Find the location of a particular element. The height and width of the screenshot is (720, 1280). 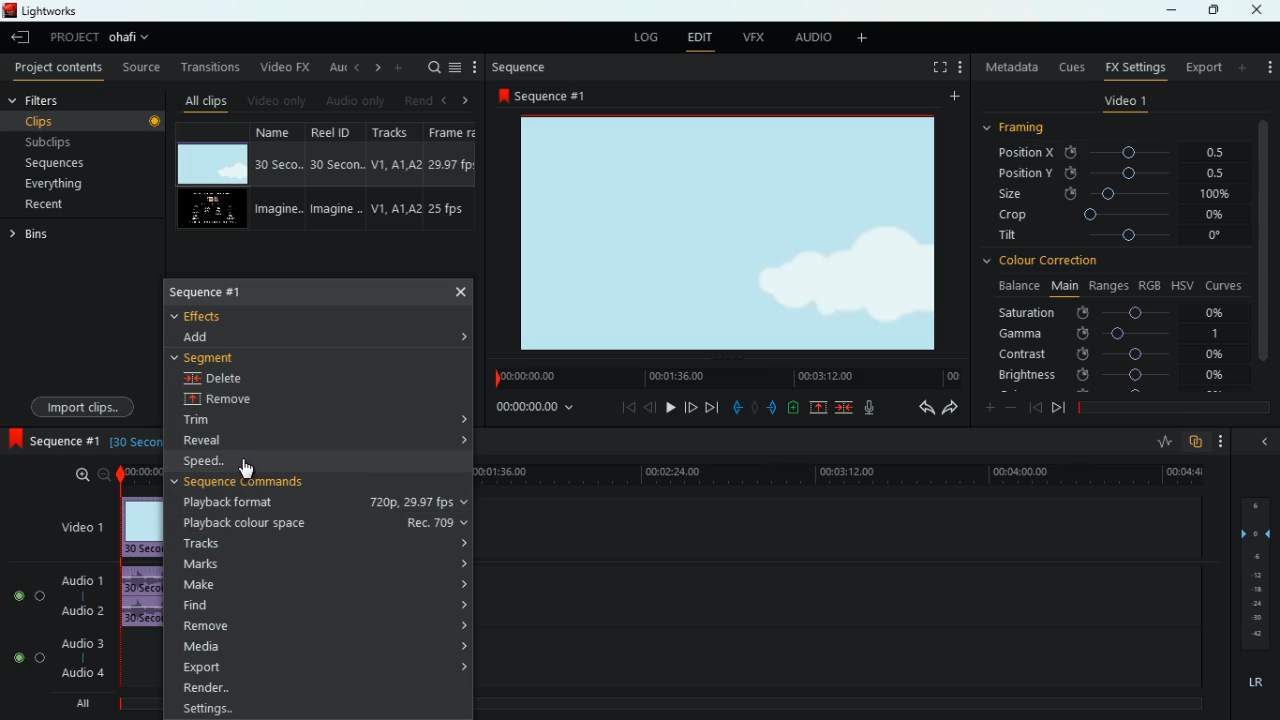

beggining is located at coordinates (622, 409).